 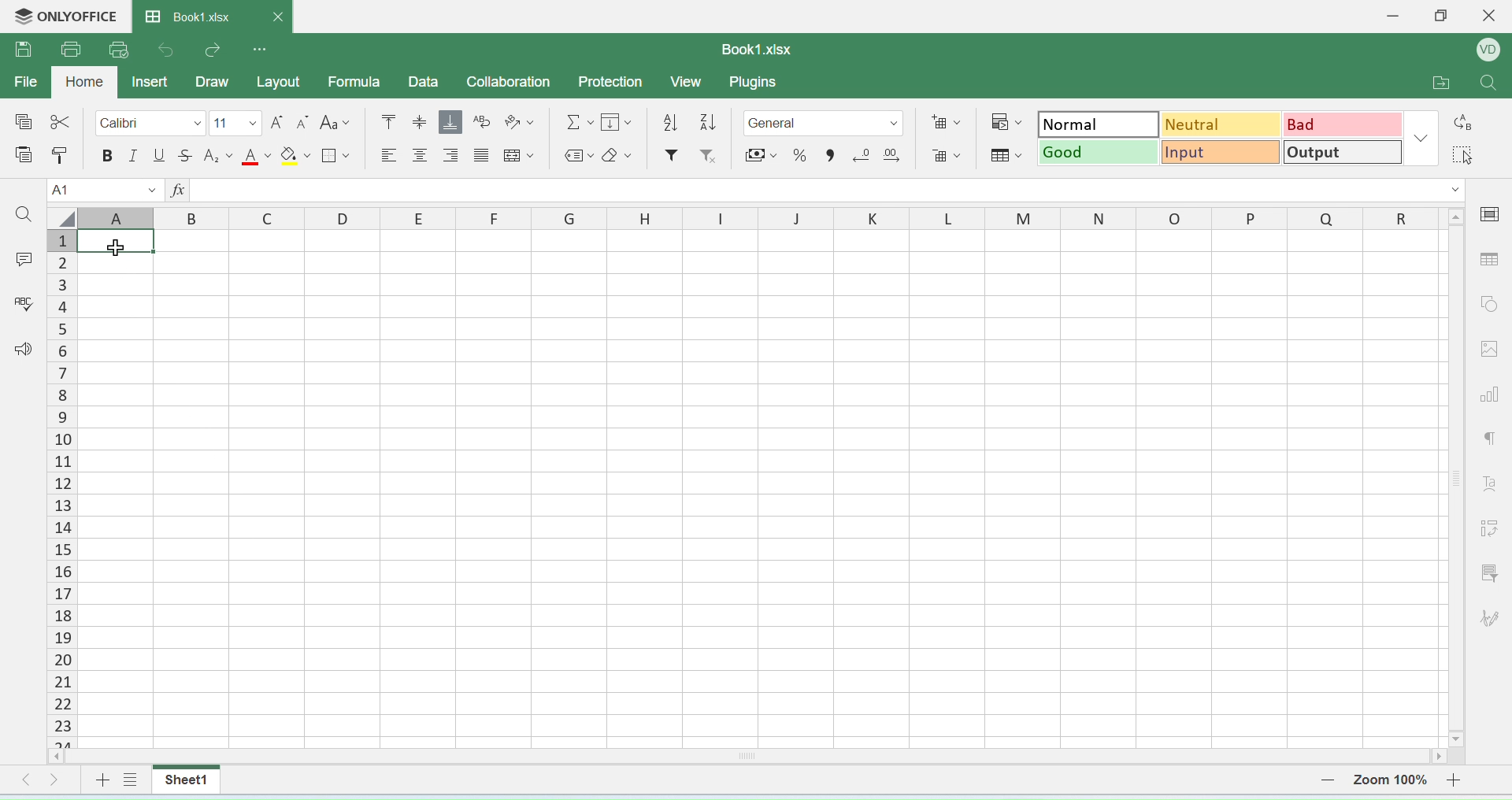 I want to click on add sheet, so click(x=101, y=783).